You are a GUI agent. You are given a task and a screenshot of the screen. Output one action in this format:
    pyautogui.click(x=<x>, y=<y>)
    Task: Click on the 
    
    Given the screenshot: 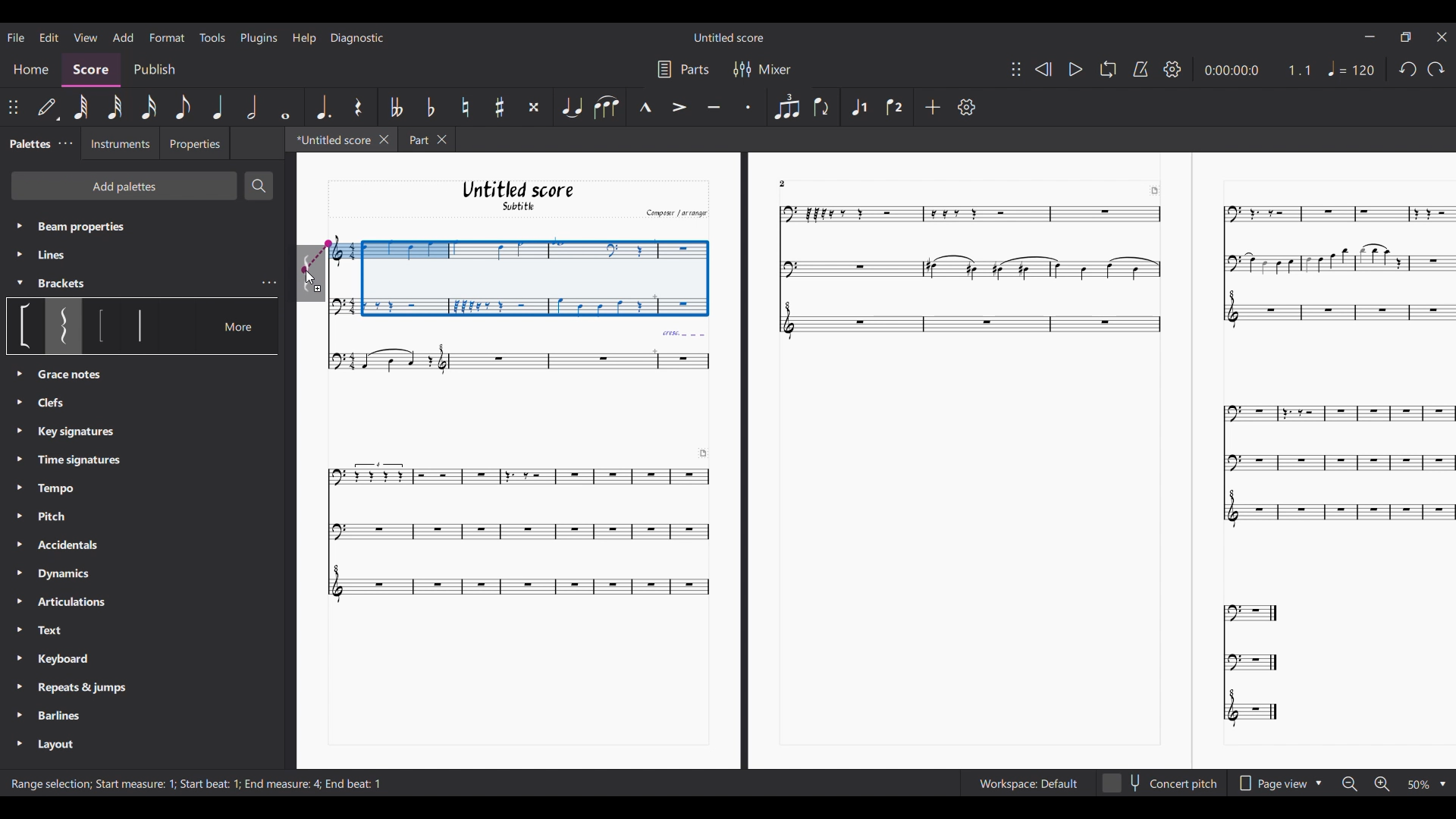 What is the action you would take?
    pyautogui.click(x=20, y=430)
    